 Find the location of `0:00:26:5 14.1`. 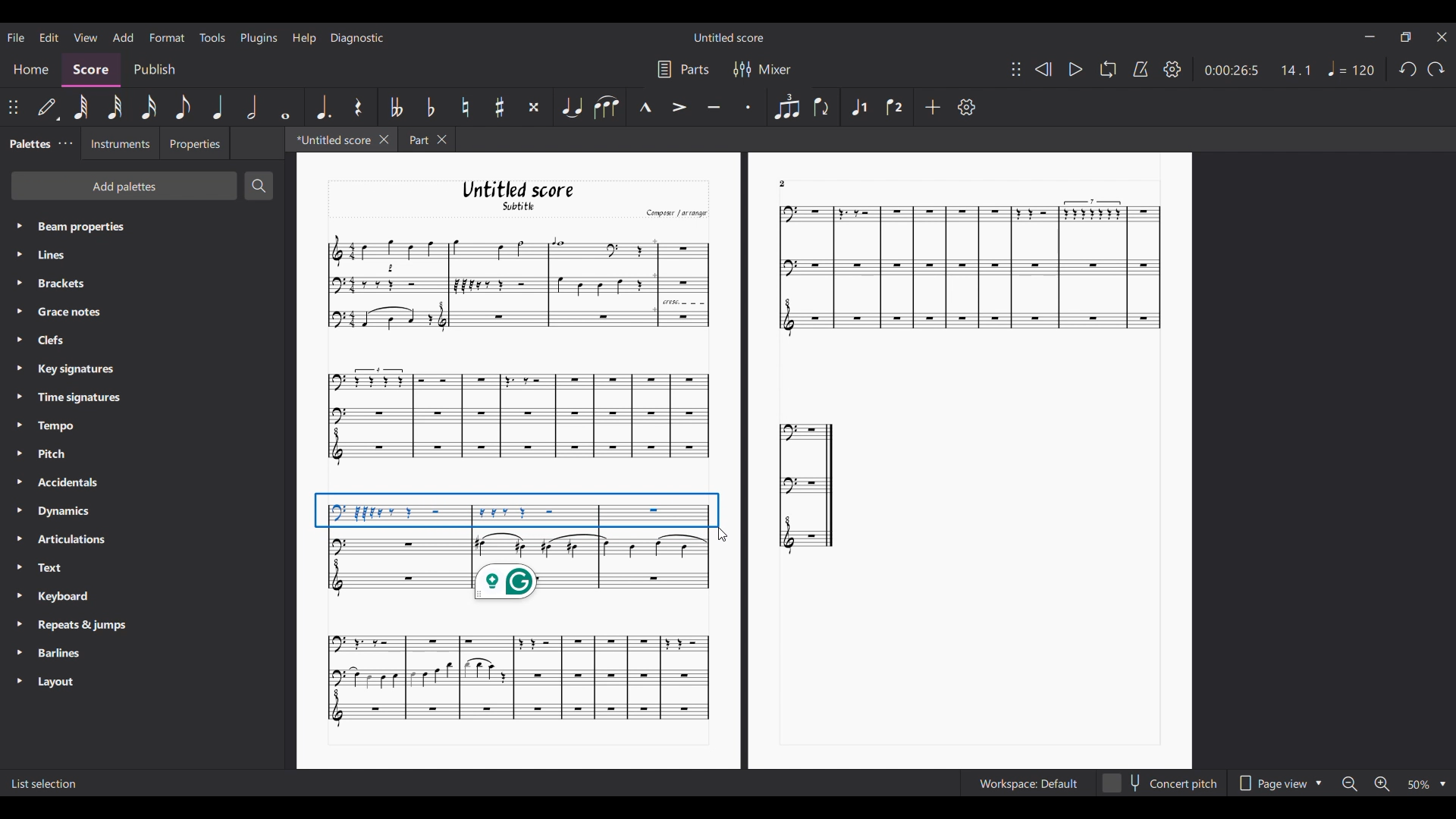

0:00:26:5 14.1 is located at coordinates (1263, 69).